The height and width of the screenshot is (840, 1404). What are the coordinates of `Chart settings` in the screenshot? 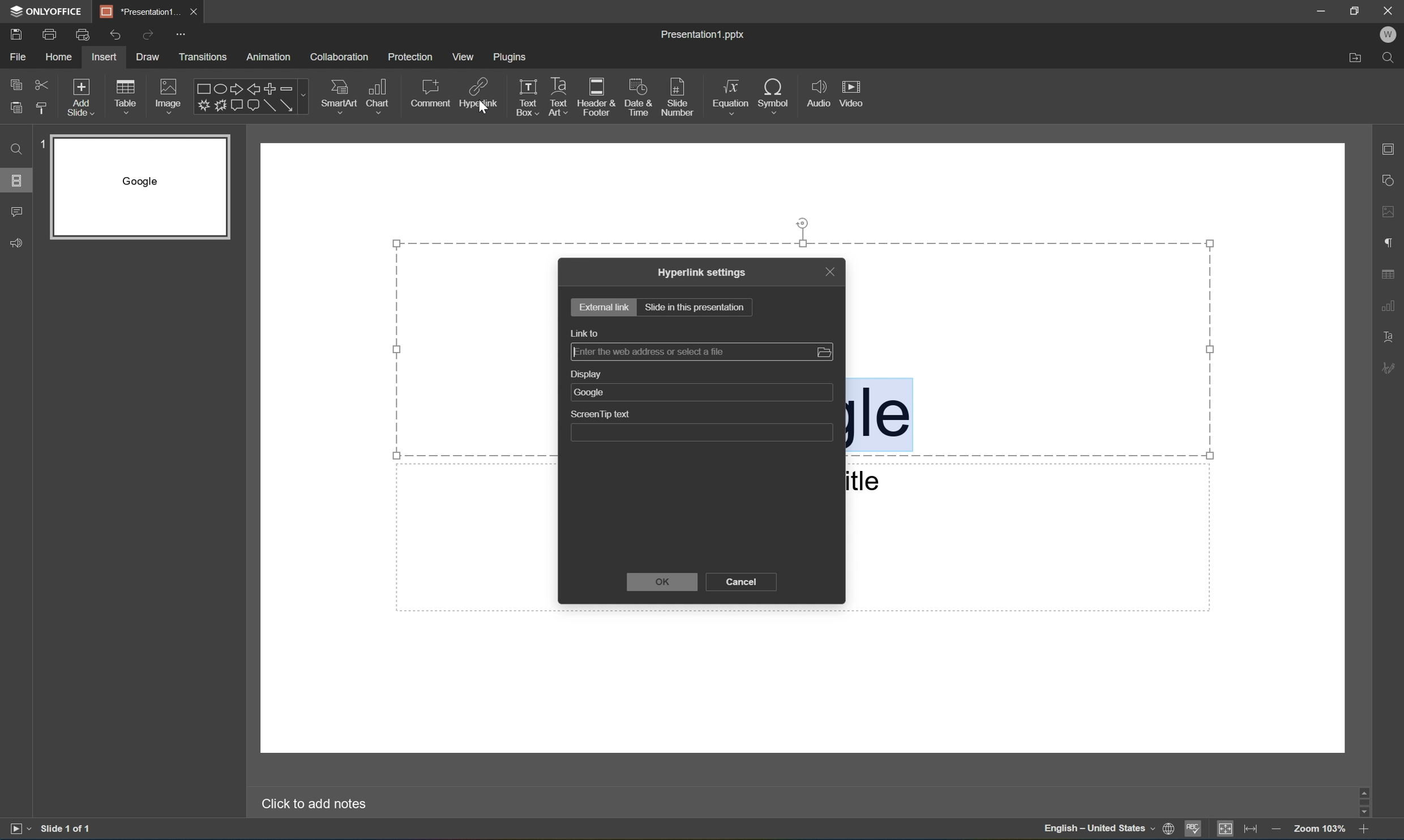 It's located at (1388, 306).